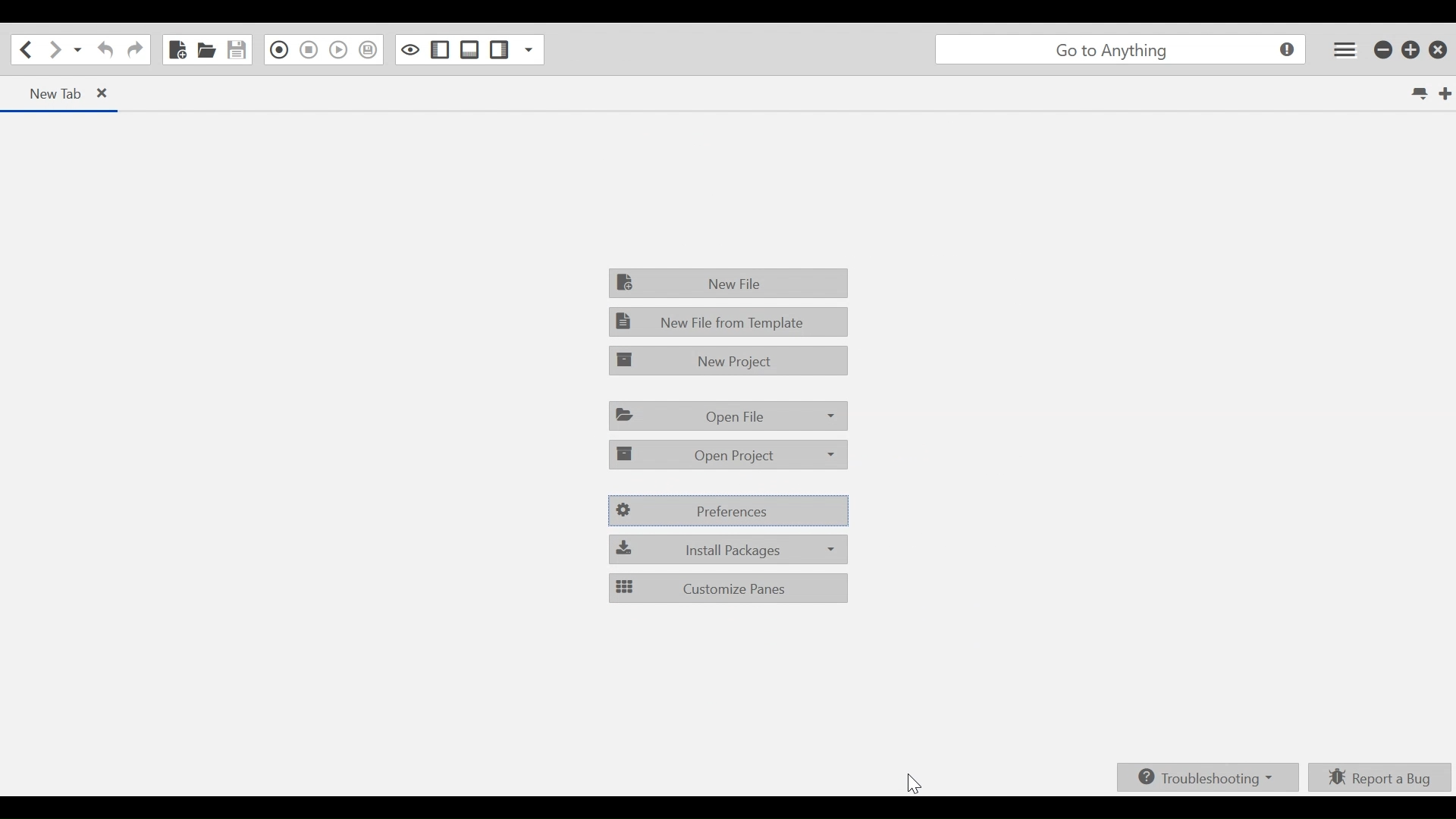  What do you see at coordinates (499, 50) in the screenshot?
I see `Show/Hide Right Pane` at bounding box center [499, 50].